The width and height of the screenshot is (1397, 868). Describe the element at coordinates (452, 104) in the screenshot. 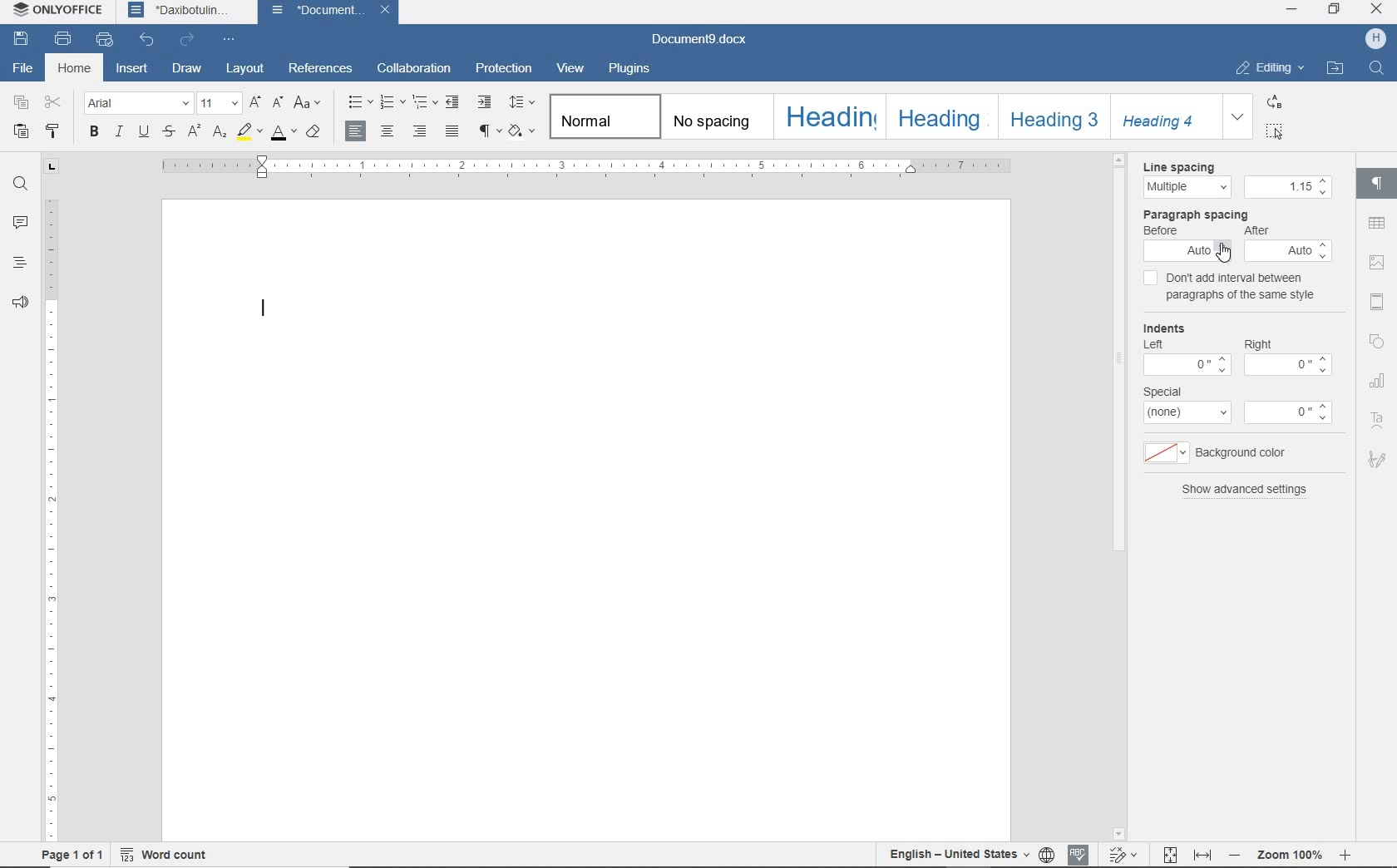

I see `decrease indent` at that location.